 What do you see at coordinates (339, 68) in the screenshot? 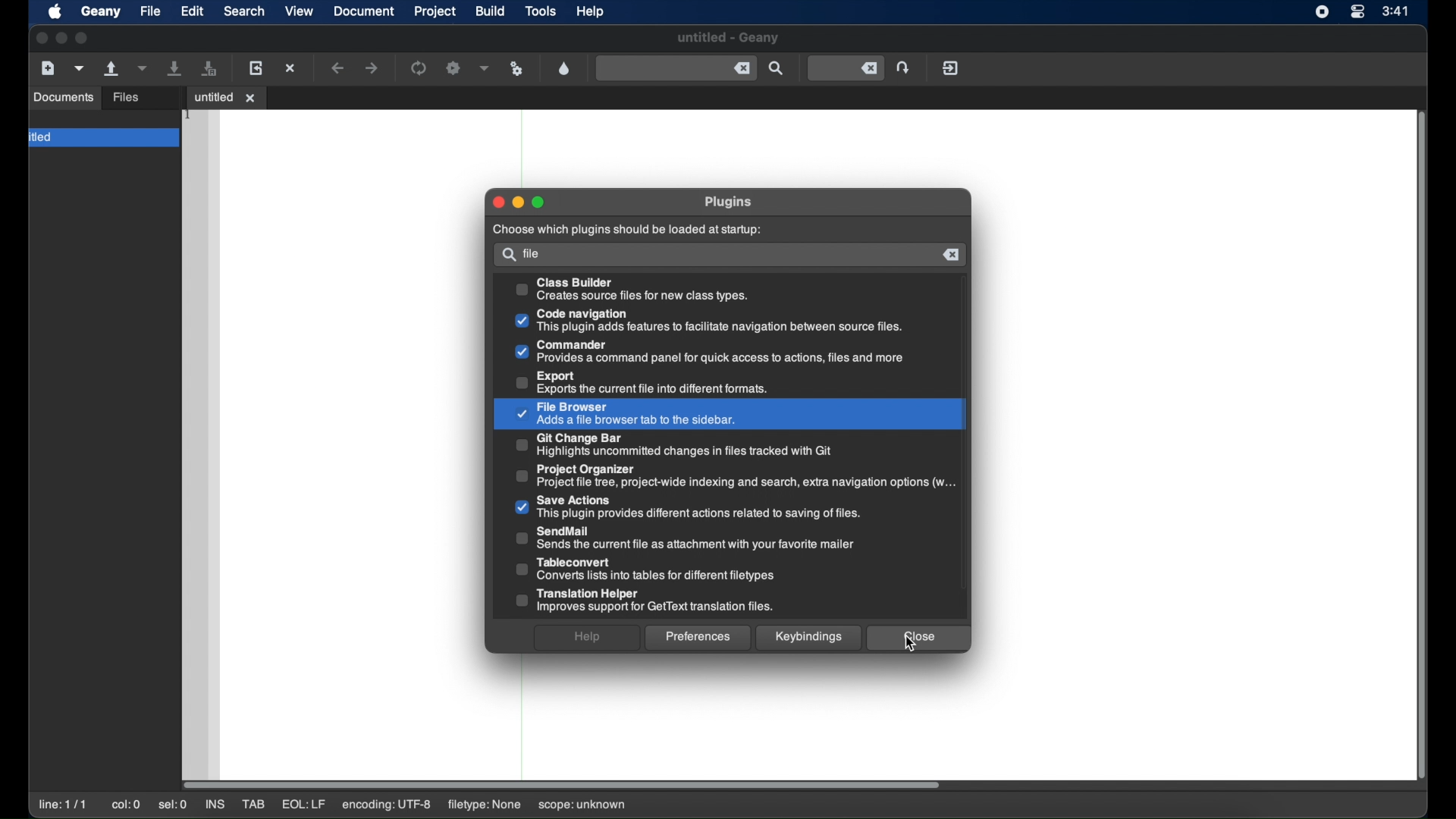
I see `navigate back a location` at bounding box center [339, 68].